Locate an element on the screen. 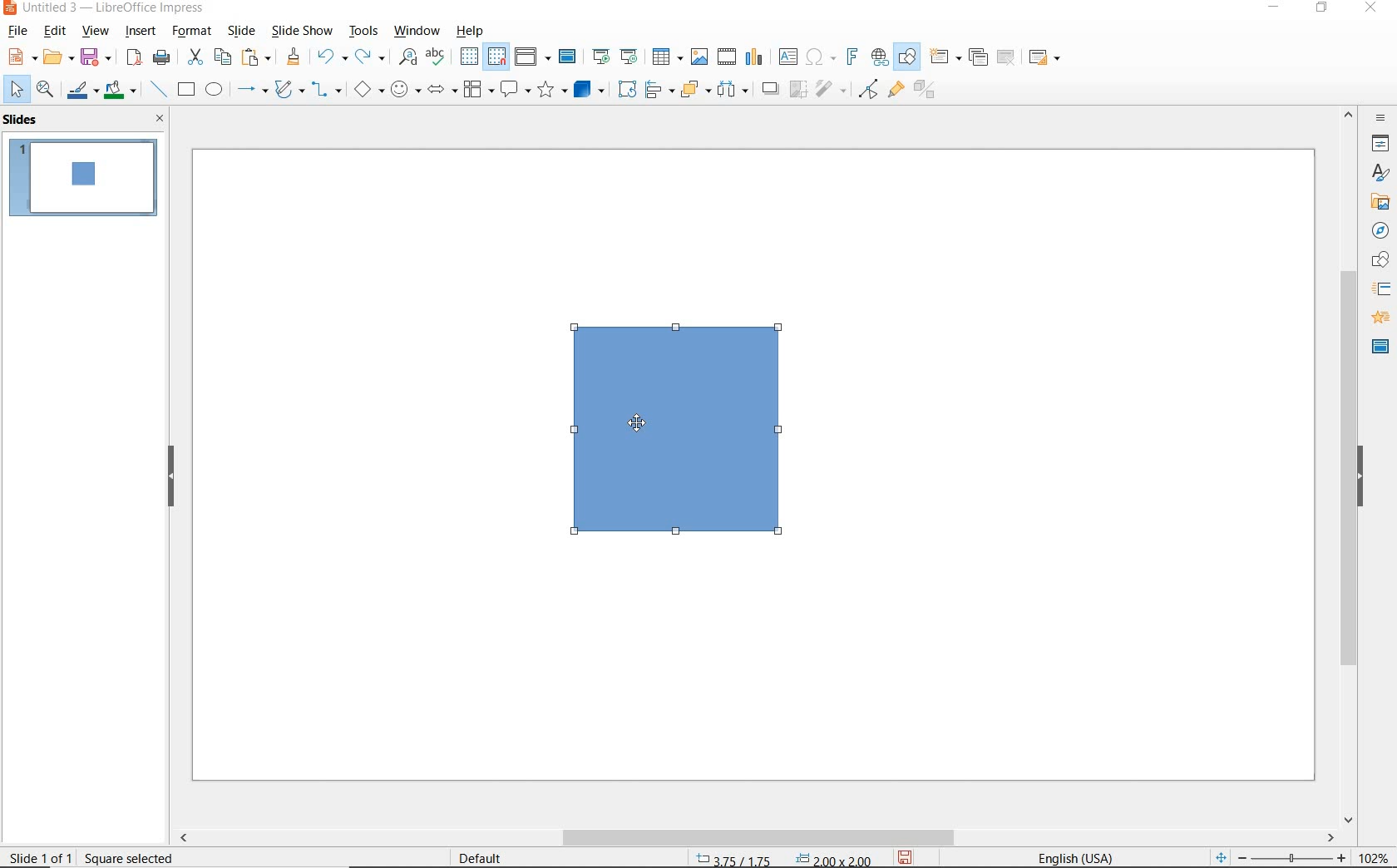  insert image is located at coordinates (700, 57).